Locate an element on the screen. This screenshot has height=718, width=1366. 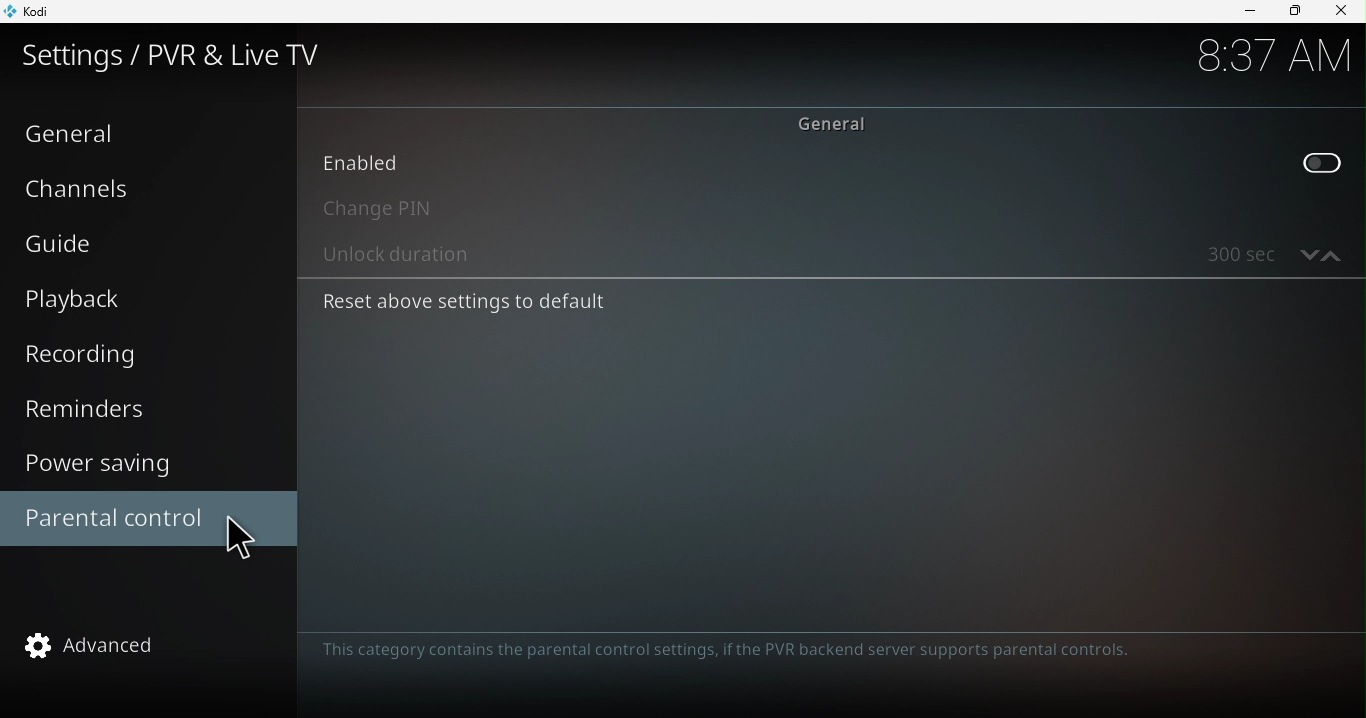
General is located at coordinates (835, 123).